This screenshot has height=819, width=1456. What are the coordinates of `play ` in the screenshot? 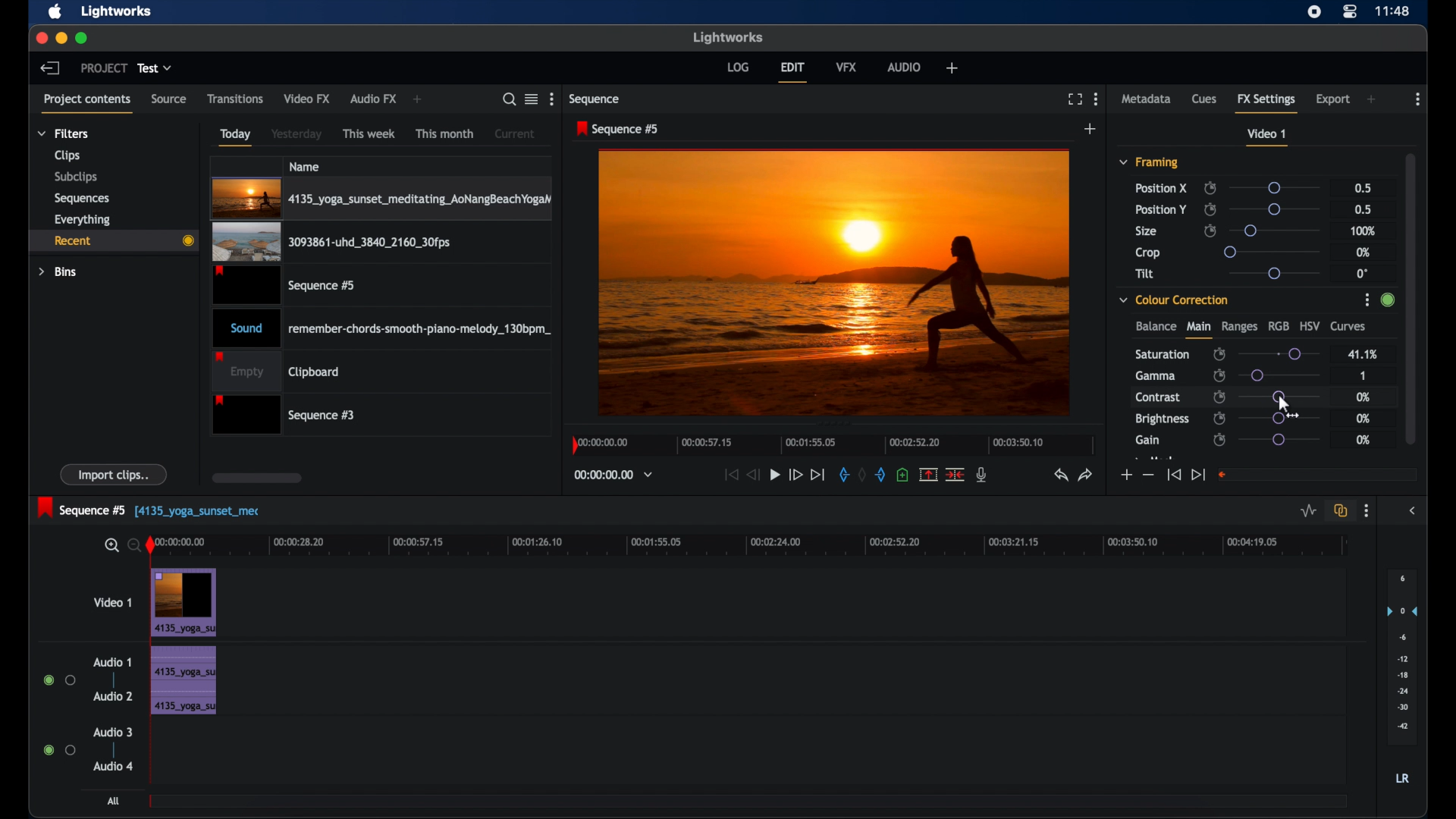 It's located at (775, 475).